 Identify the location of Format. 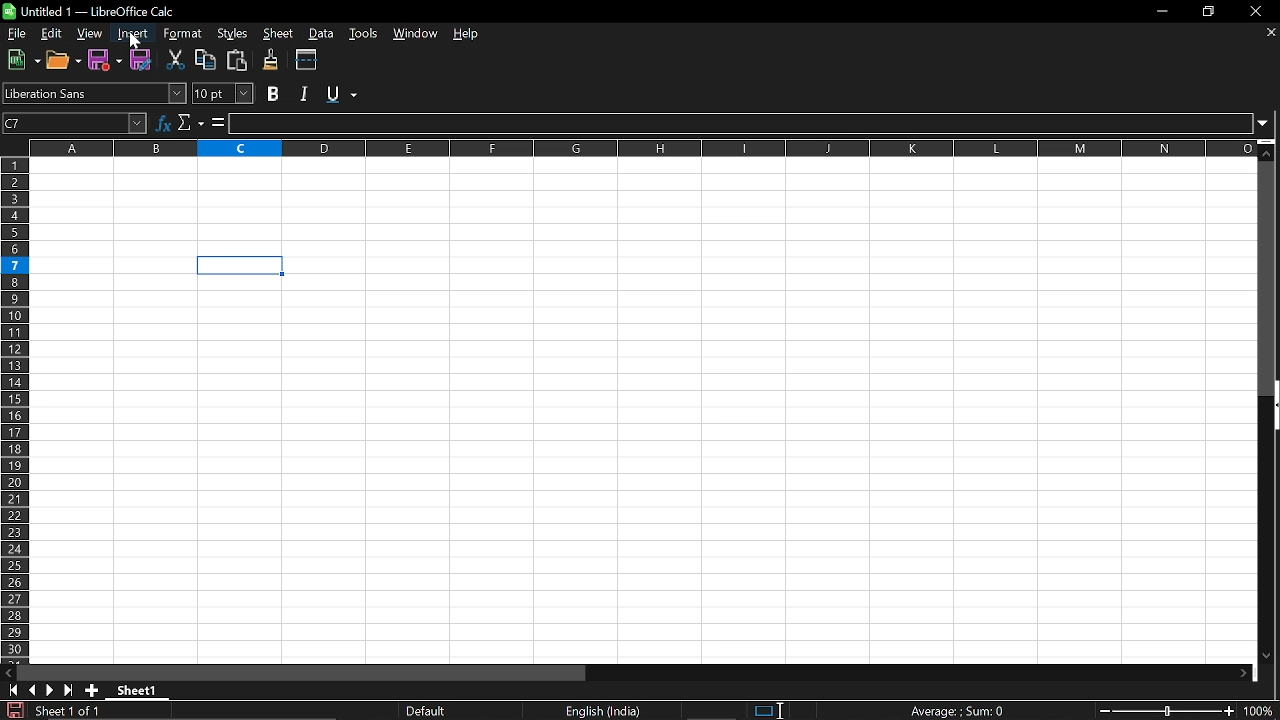
(179, 34).